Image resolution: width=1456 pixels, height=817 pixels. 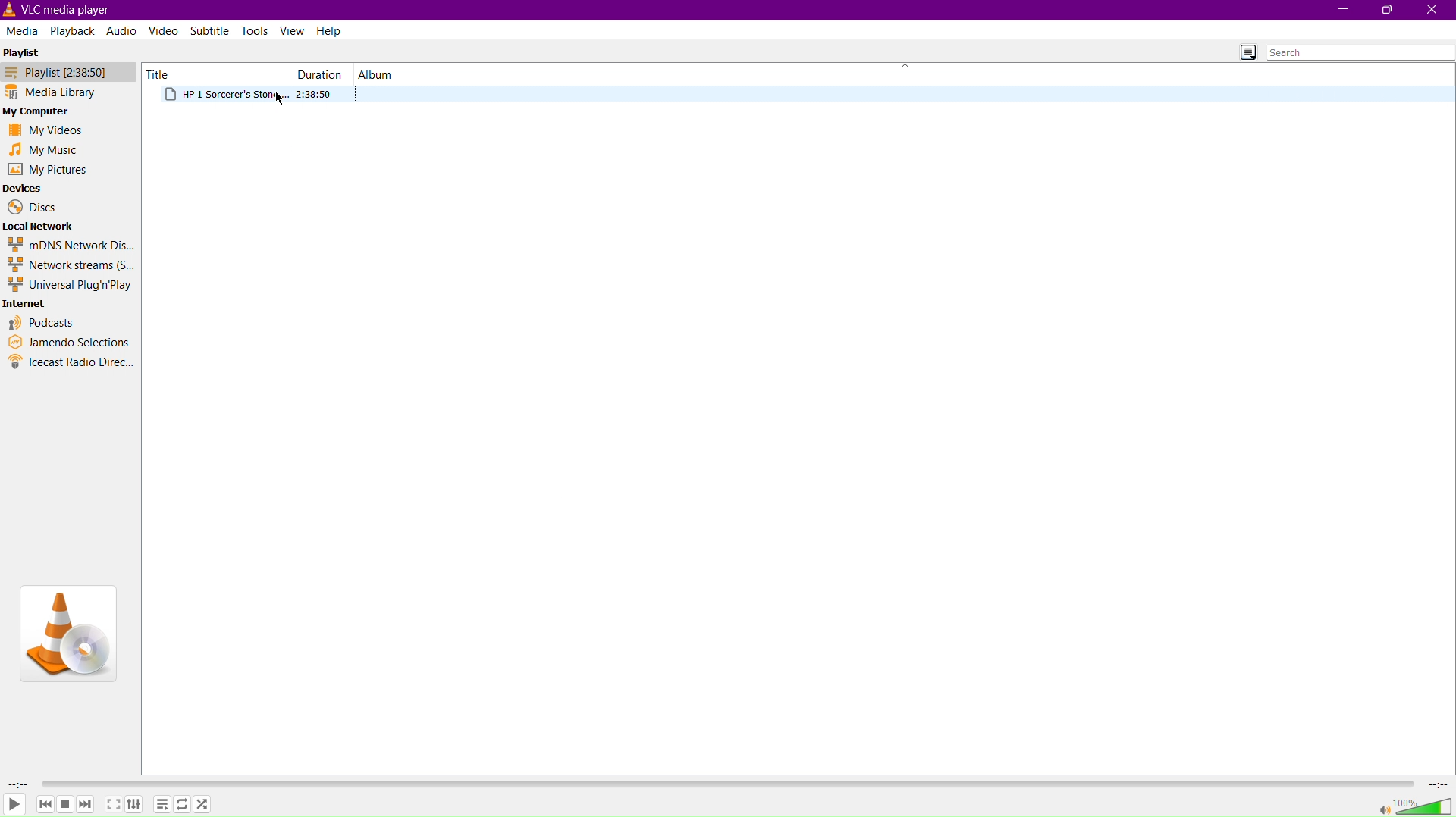 I want to click on My Music, so click(x=45, y=149).